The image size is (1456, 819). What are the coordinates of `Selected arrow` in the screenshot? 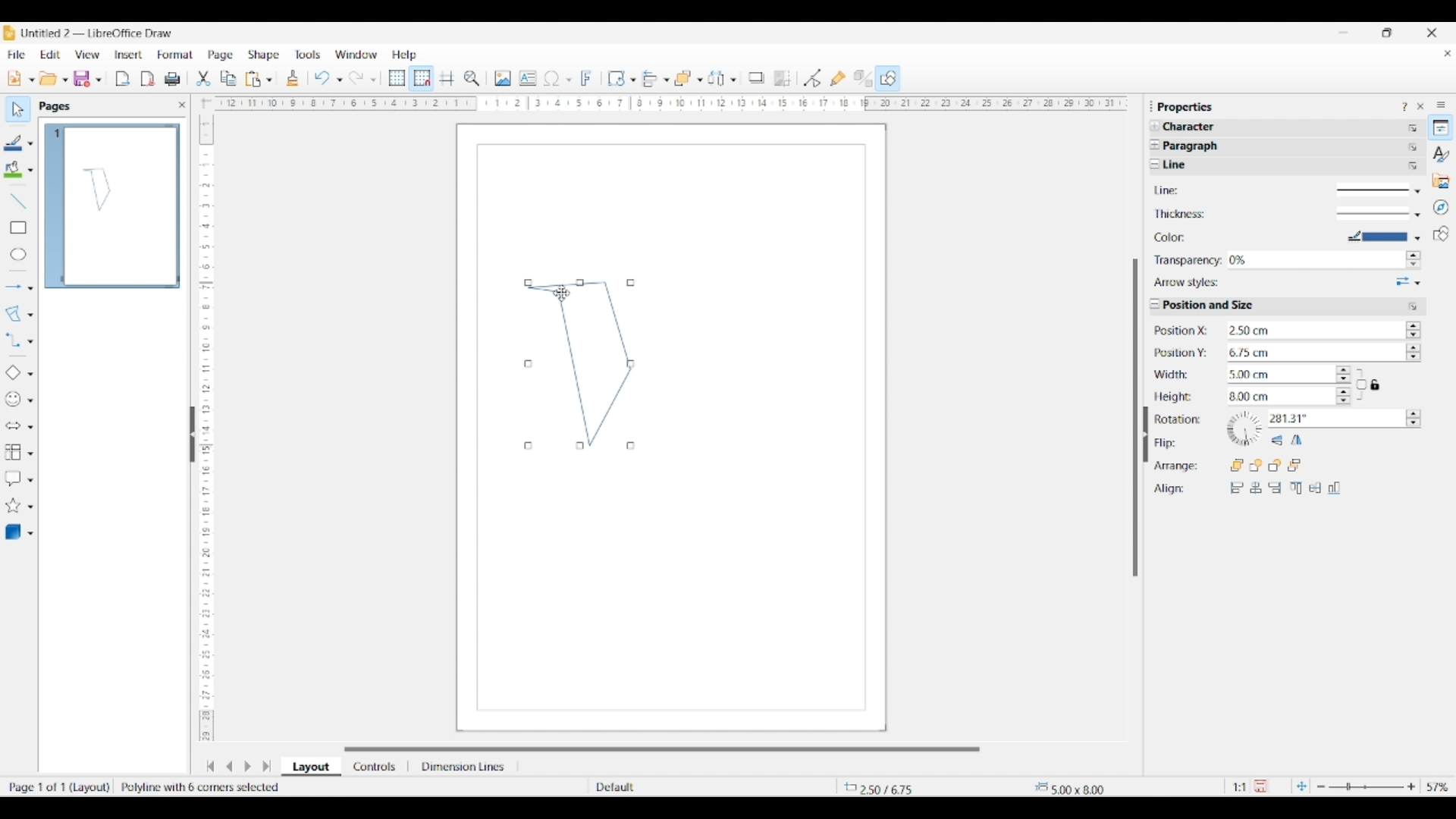 It's located at (14, 287).